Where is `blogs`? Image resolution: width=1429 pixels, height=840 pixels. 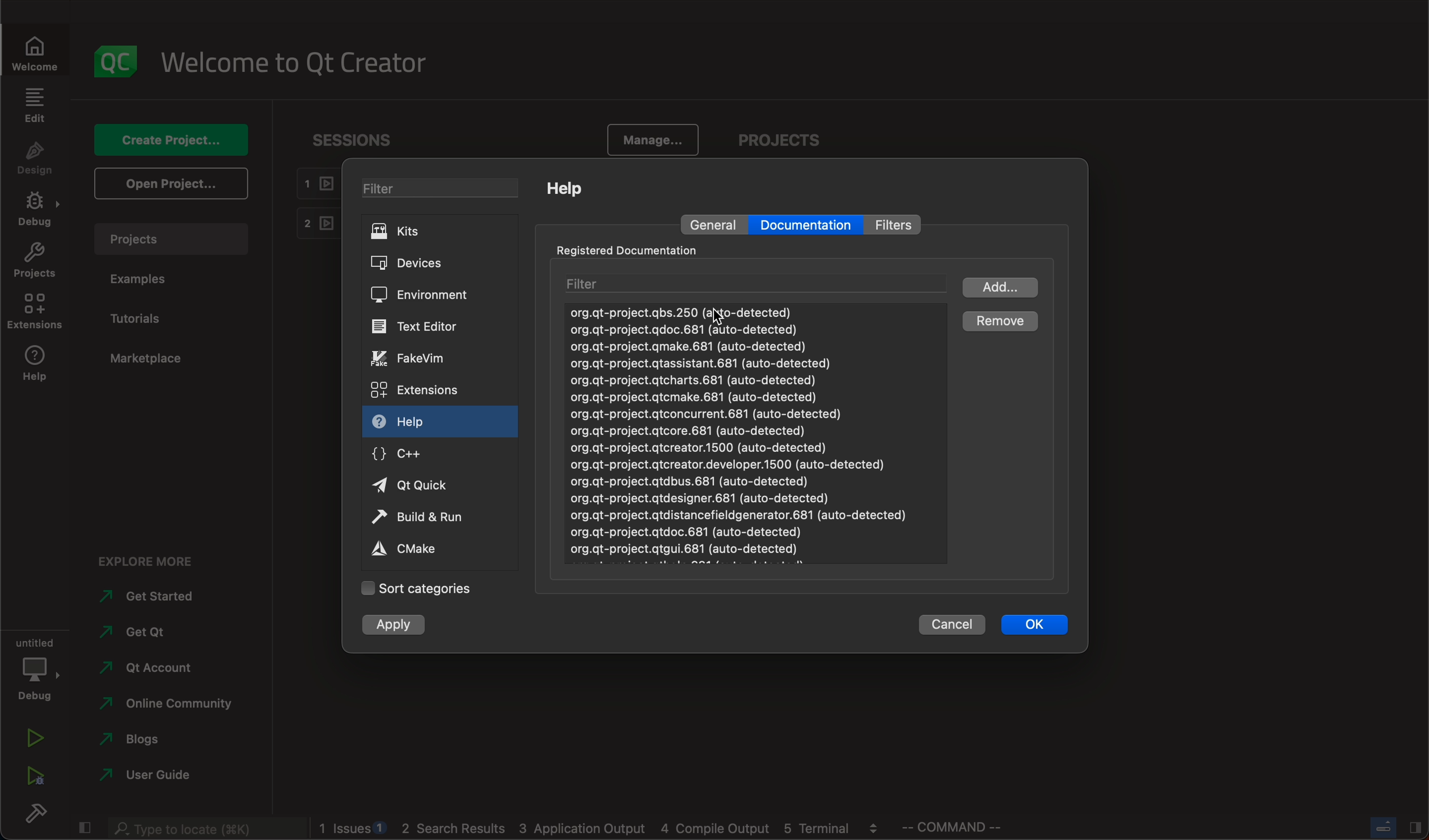 blogs is located at coordinates (599, 830).